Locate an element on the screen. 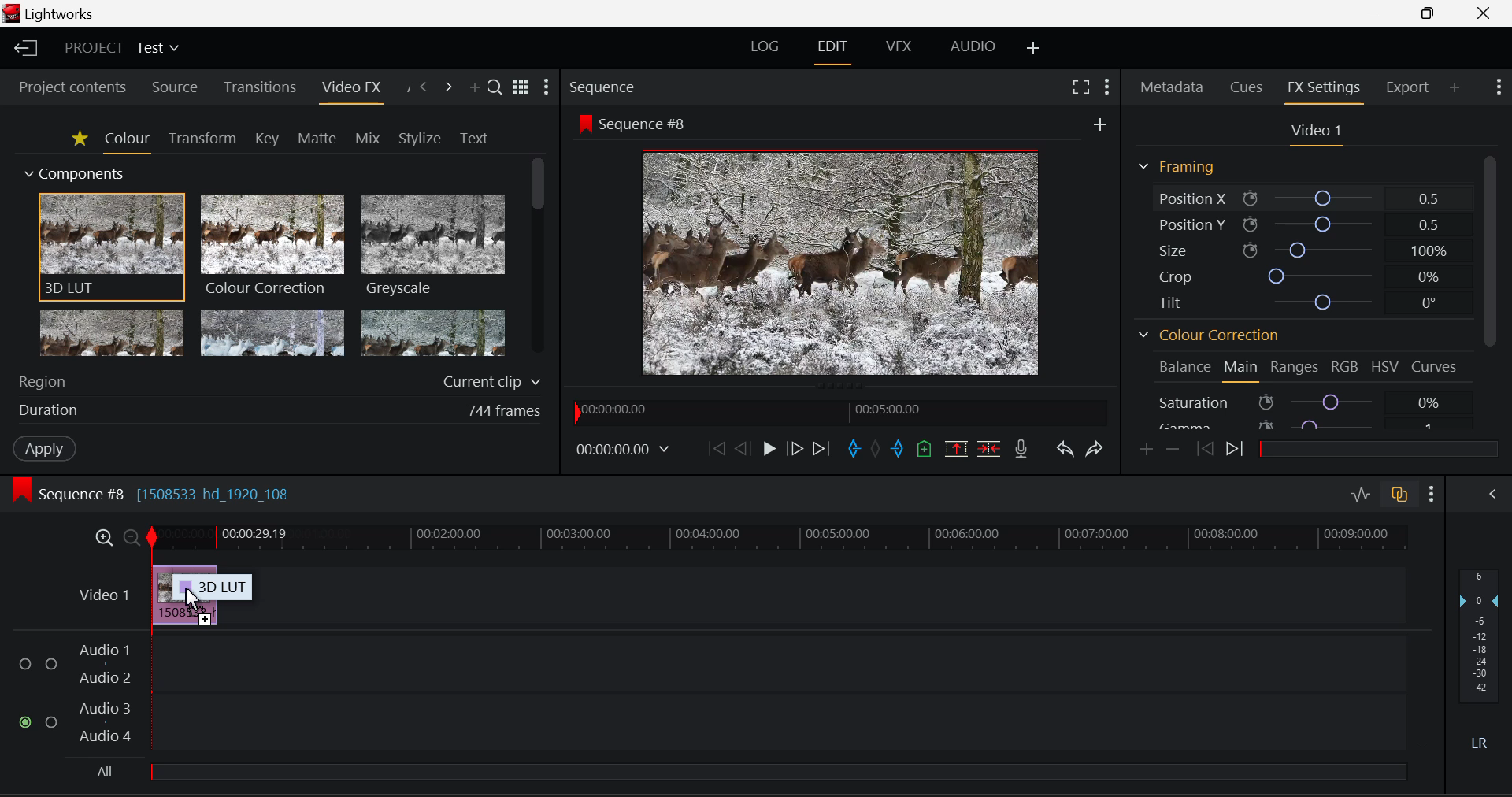 Image resolution: width=1512 pixels, height=797 pixels. Toggle audio levels editing is located at coordinates (1361, 493).